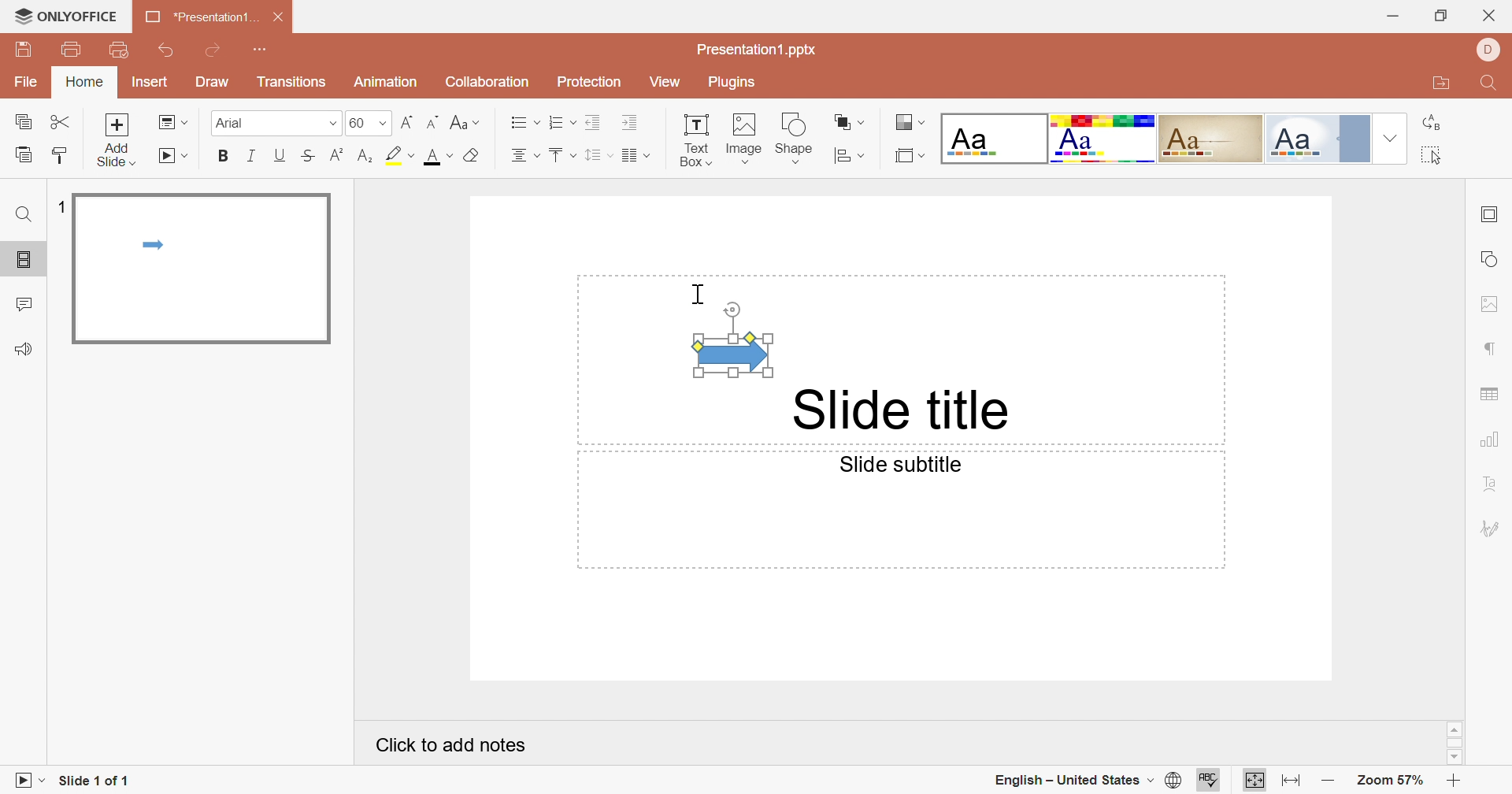 Image resolution: width=1512 pixels, height=794 pixels. Describe the element at coordinates (697, 295) in the screenshot. I see `Curosr` at that location.